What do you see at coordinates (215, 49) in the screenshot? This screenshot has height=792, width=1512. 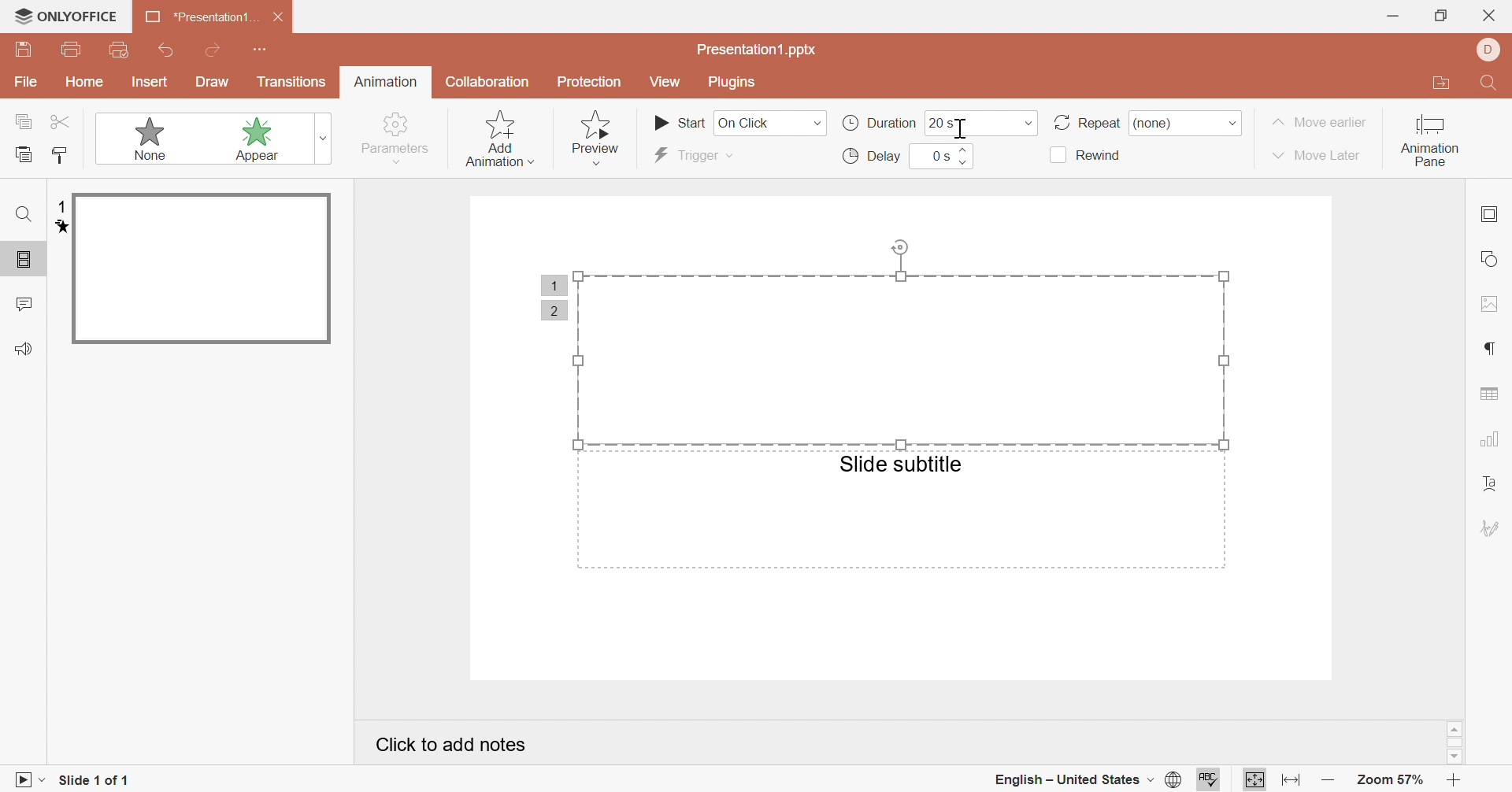 I see `redo` at bounding box center [215, 49].